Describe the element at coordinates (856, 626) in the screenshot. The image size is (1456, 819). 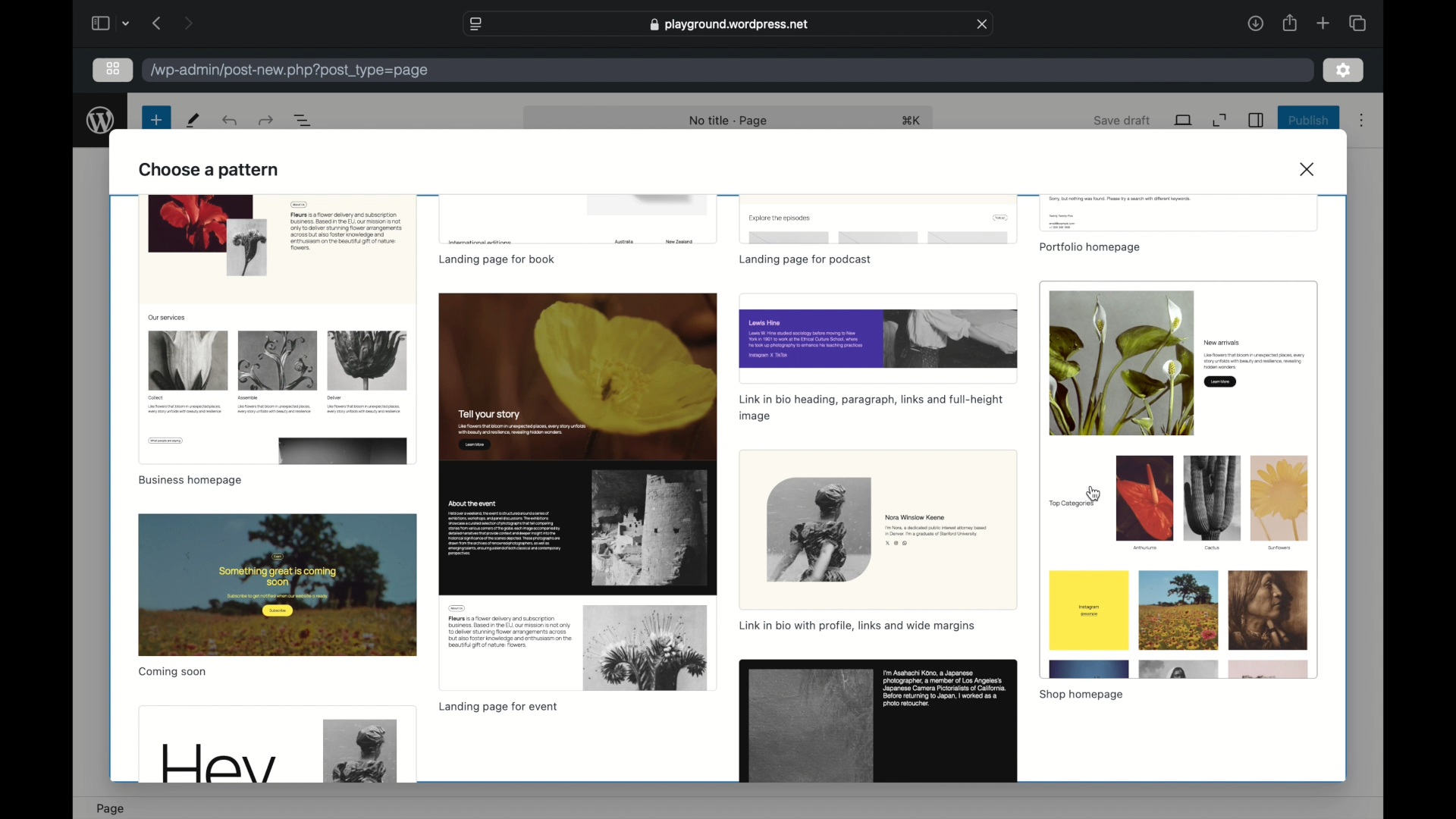
I see `link in bio` at that location.